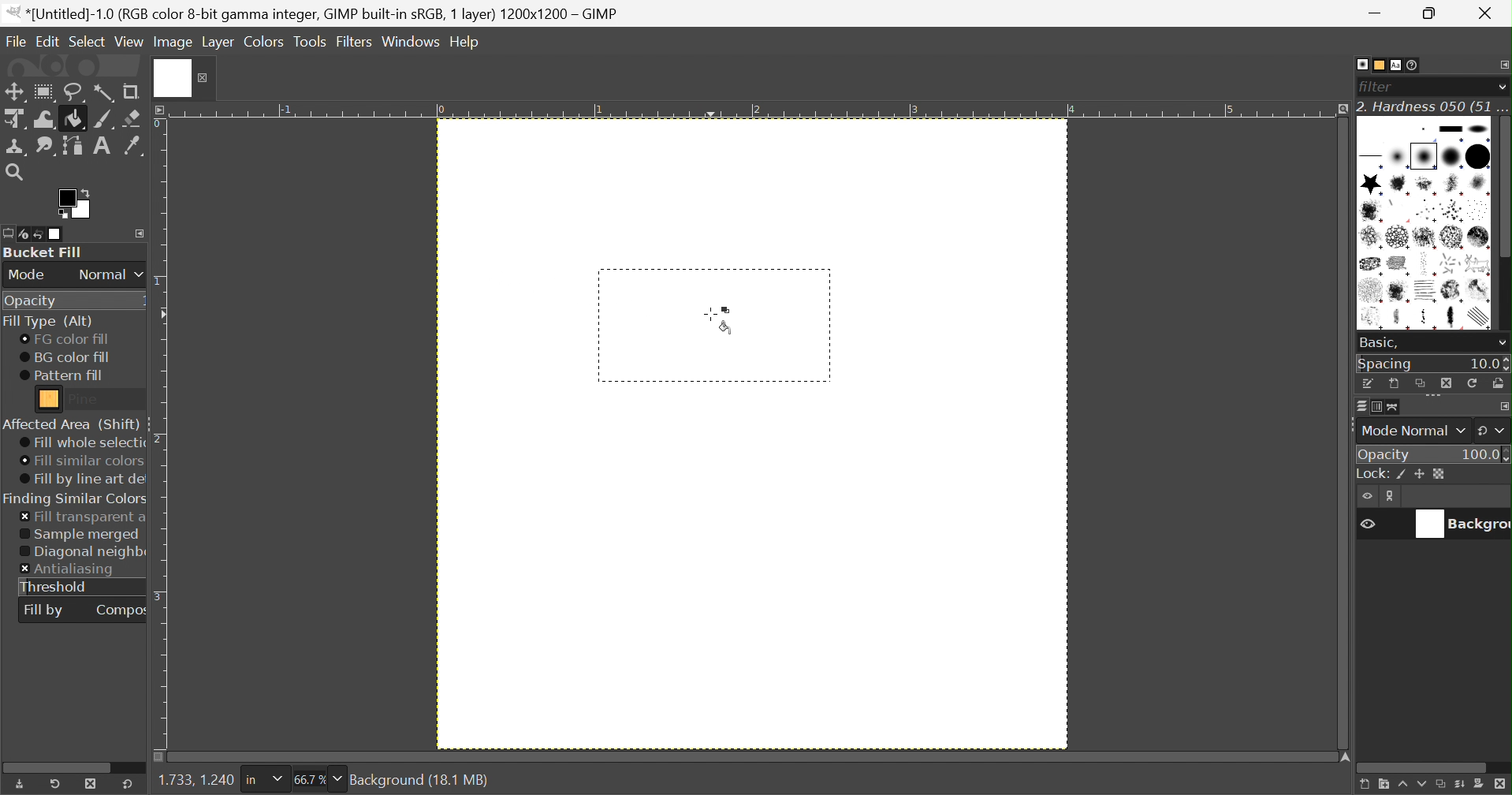  What do you see at coordinates (263, 780) in the screenshot?
I see `inches` at bounding box center [263, 780].